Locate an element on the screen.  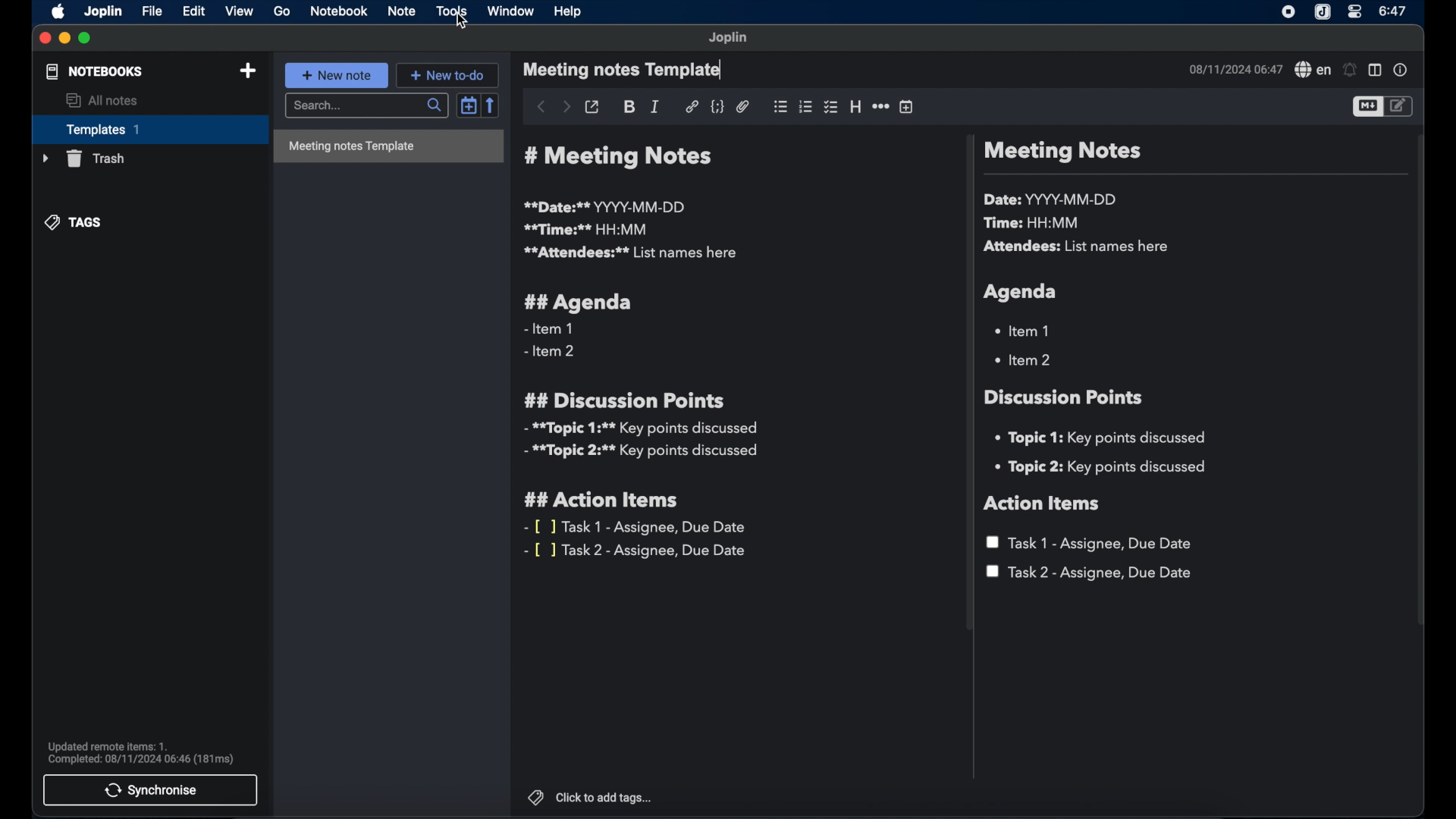
# meeting notes is located at coordinates (623, 157).